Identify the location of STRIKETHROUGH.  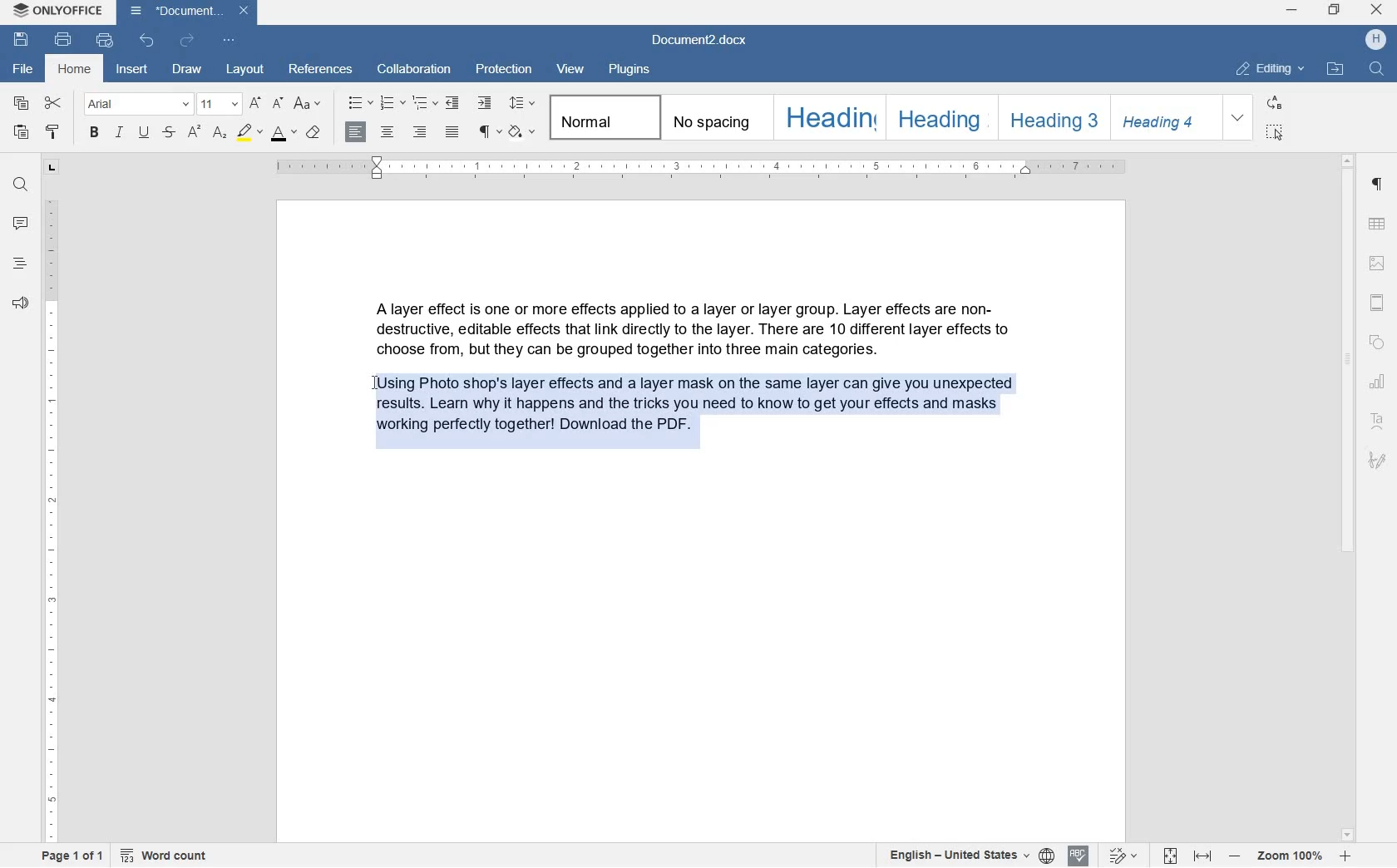
(168, 134).